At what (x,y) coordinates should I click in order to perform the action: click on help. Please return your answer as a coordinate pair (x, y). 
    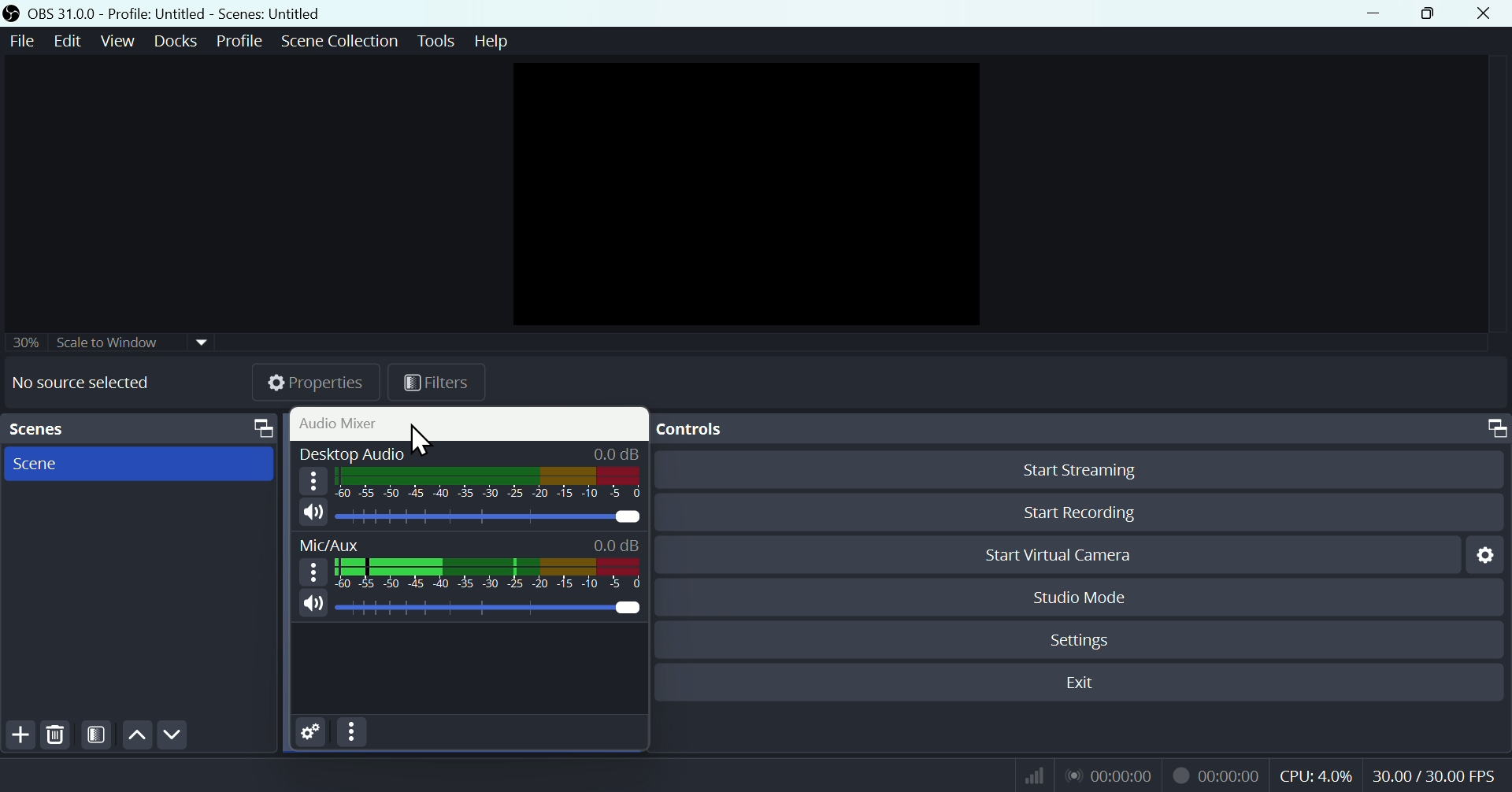
    Looking at the image, I should click on (493, 40).